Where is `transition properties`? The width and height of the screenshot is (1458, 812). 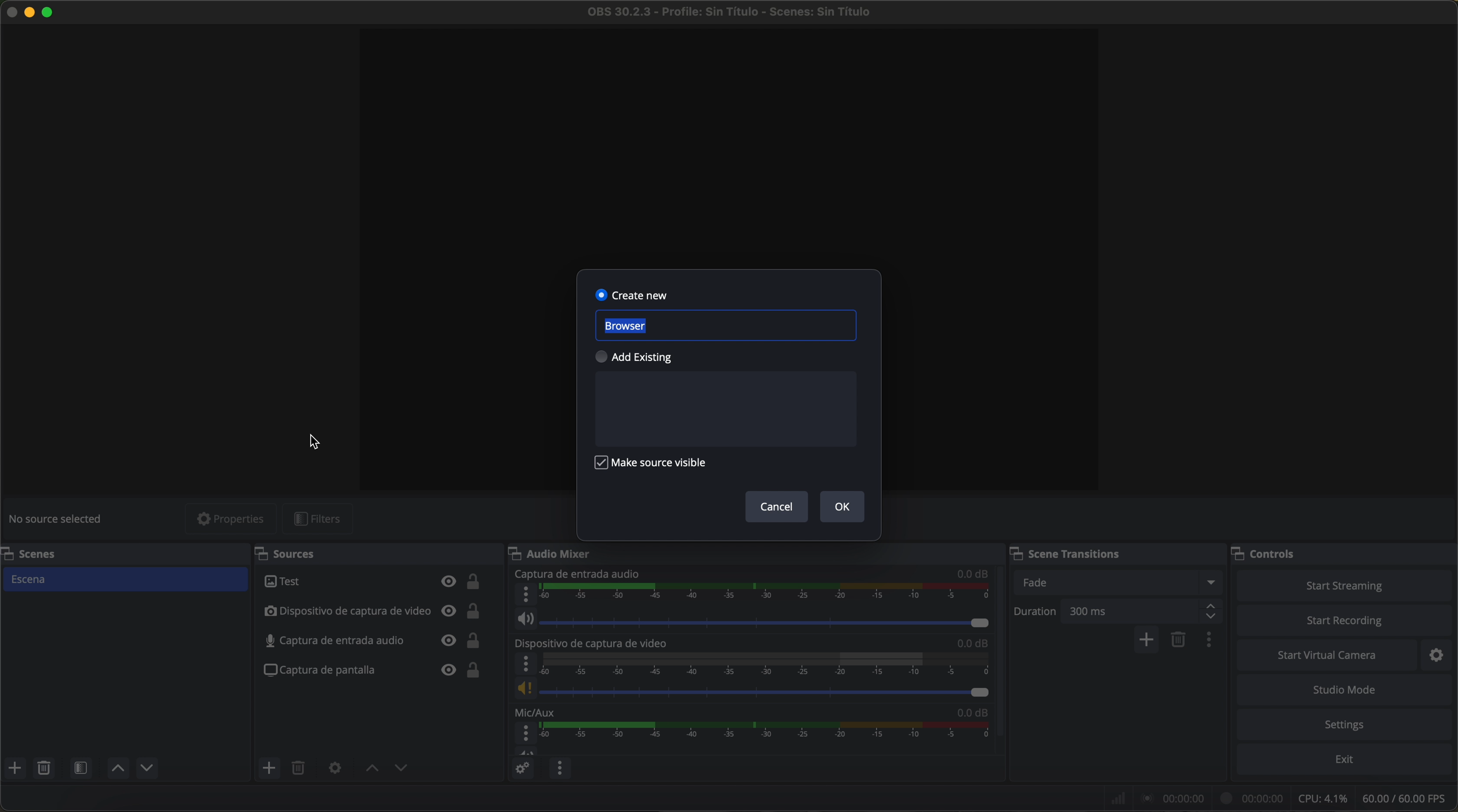 transition properties is located at coordinates (1211, 641).